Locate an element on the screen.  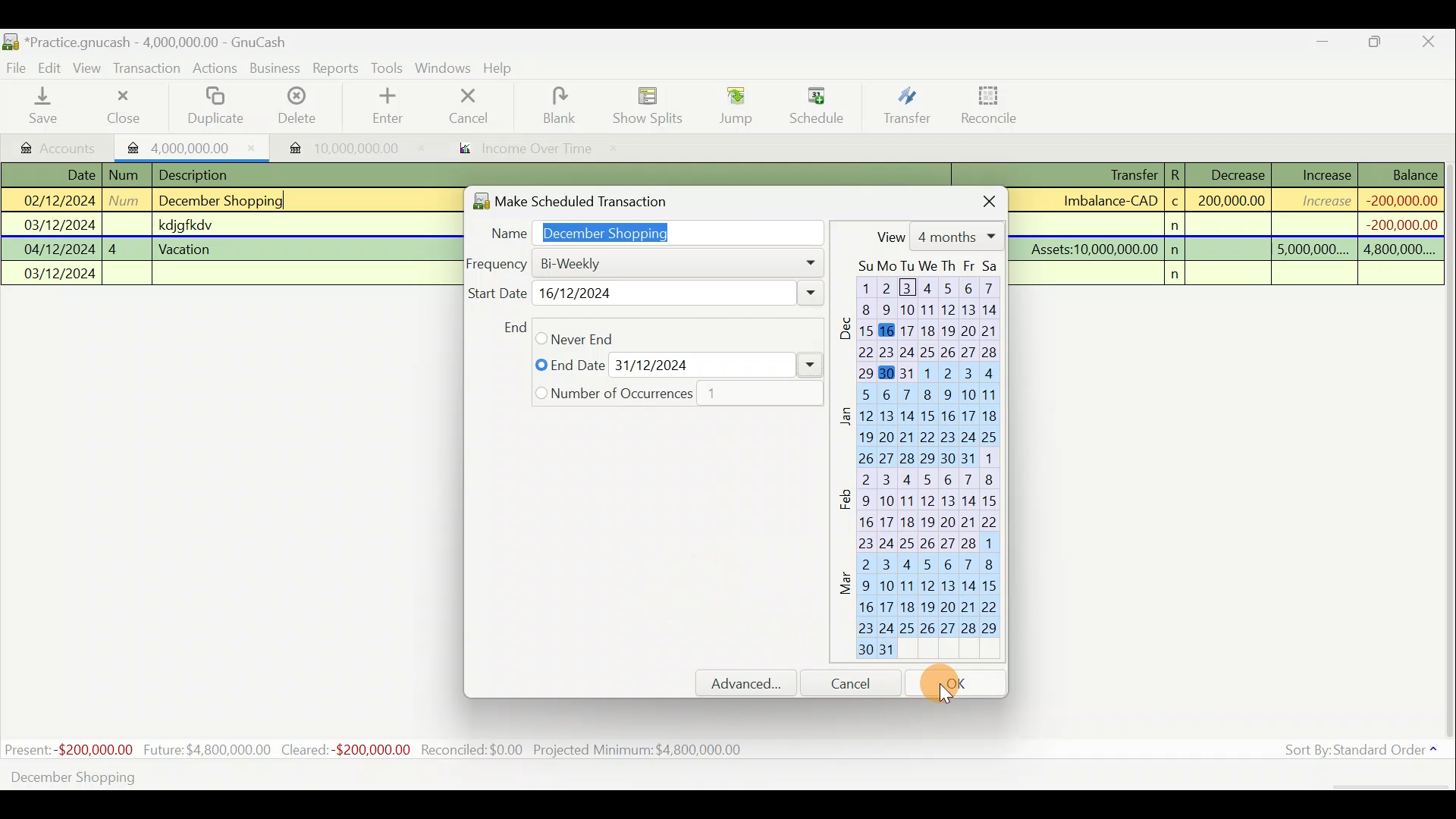
Transaction is located at coordinates (148, 68).